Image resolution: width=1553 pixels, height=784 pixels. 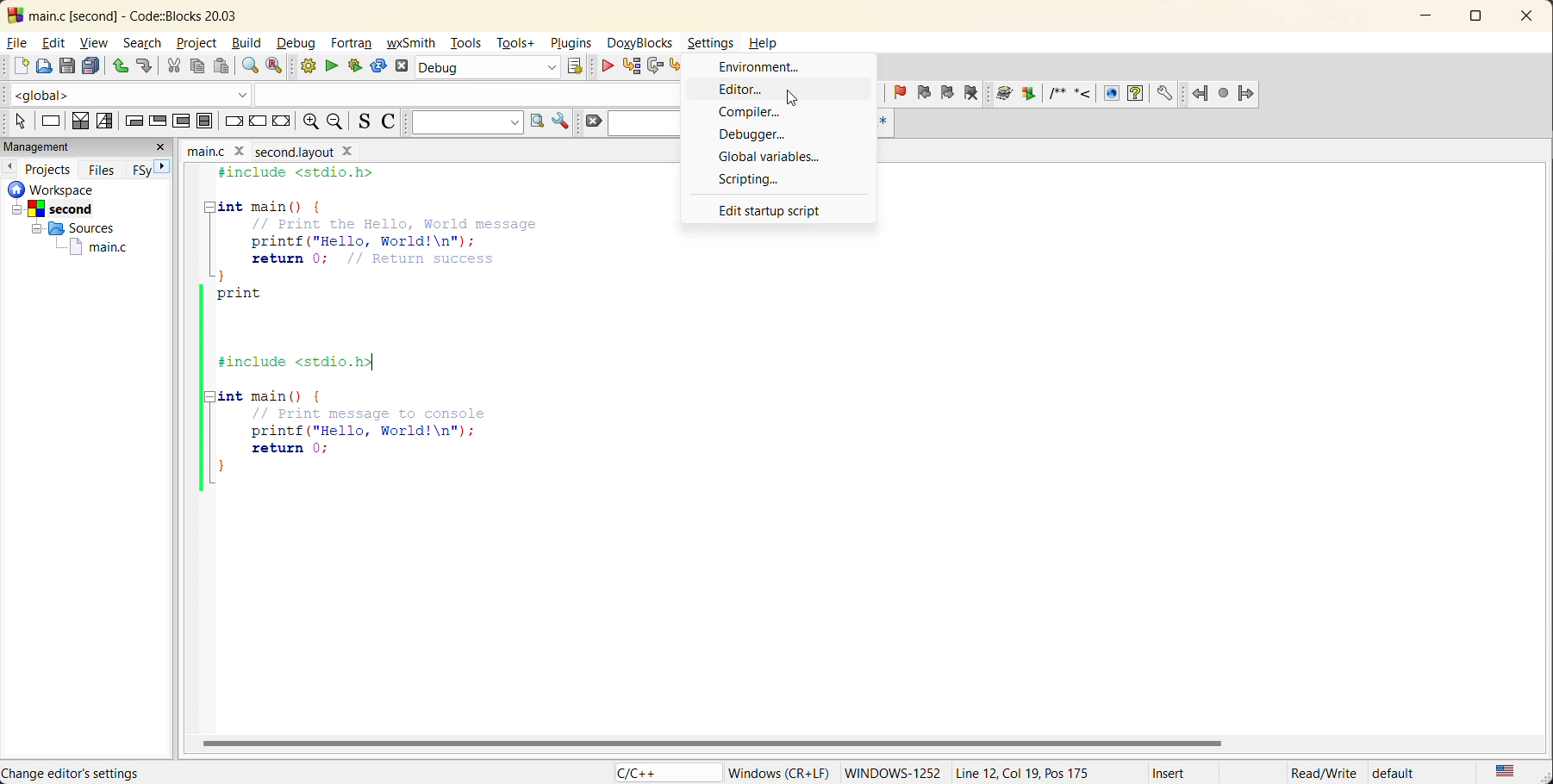 I want to click on cut, so click(x=173, y=65).